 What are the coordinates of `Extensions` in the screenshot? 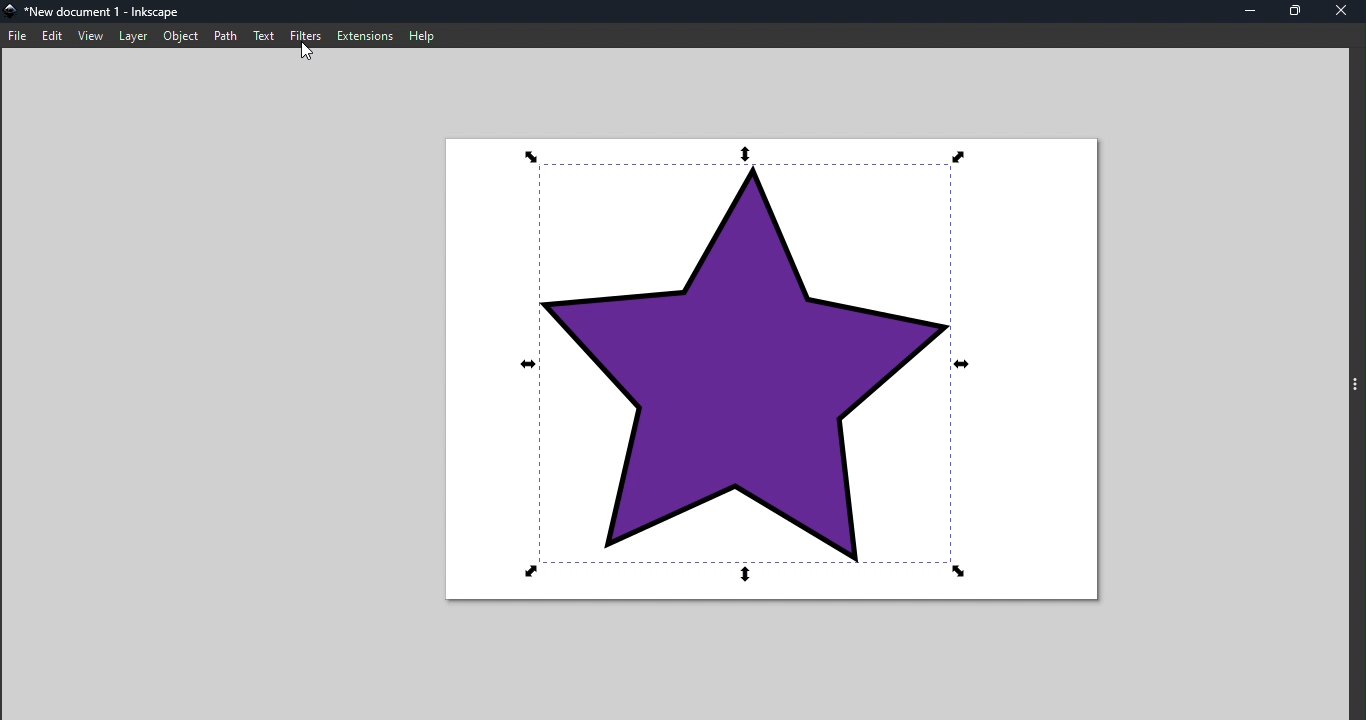 It's located at (363, 36).